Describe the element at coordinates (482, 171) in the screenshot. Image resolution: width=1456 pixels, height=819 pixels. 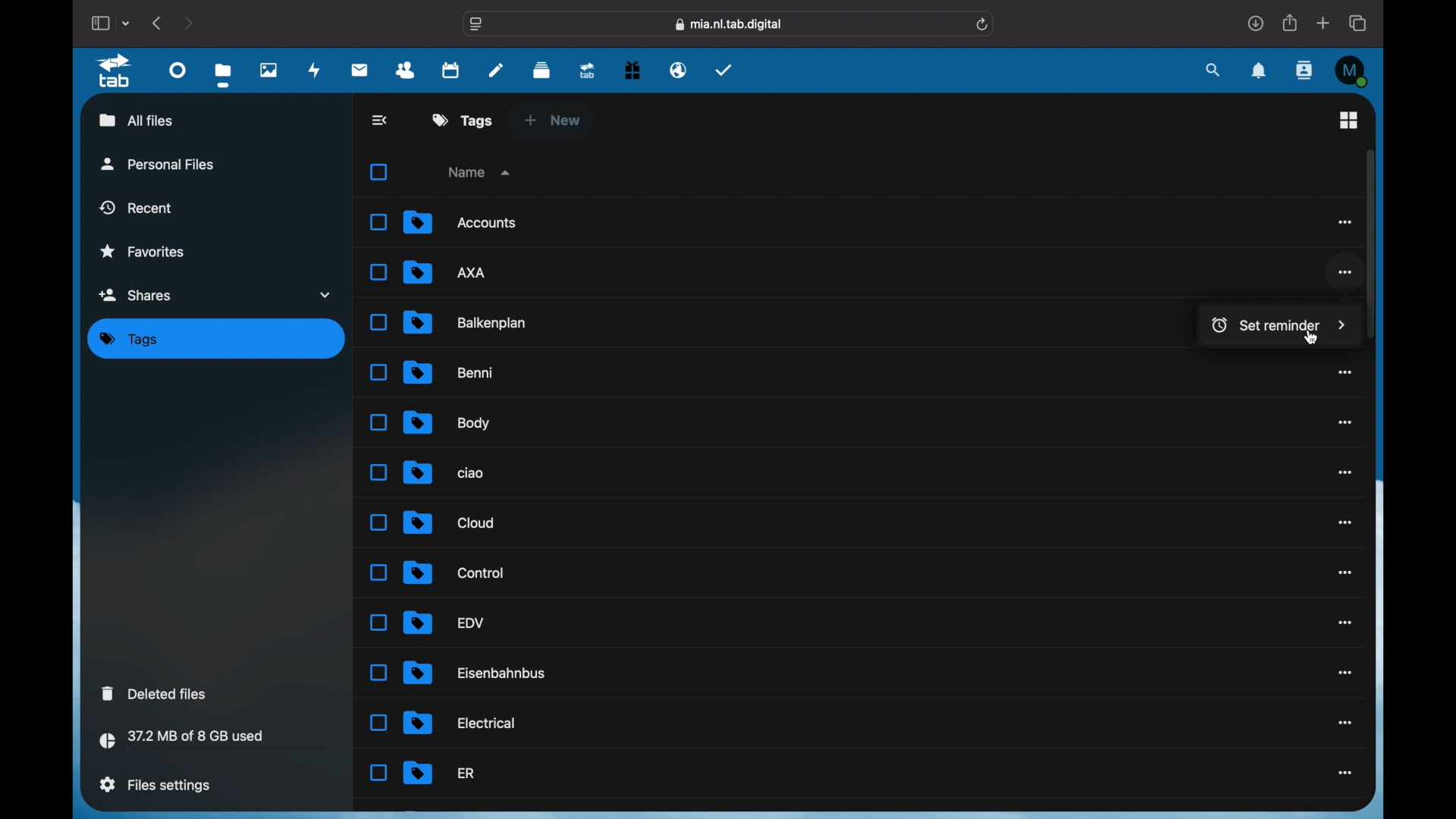
I see `name` at that location.